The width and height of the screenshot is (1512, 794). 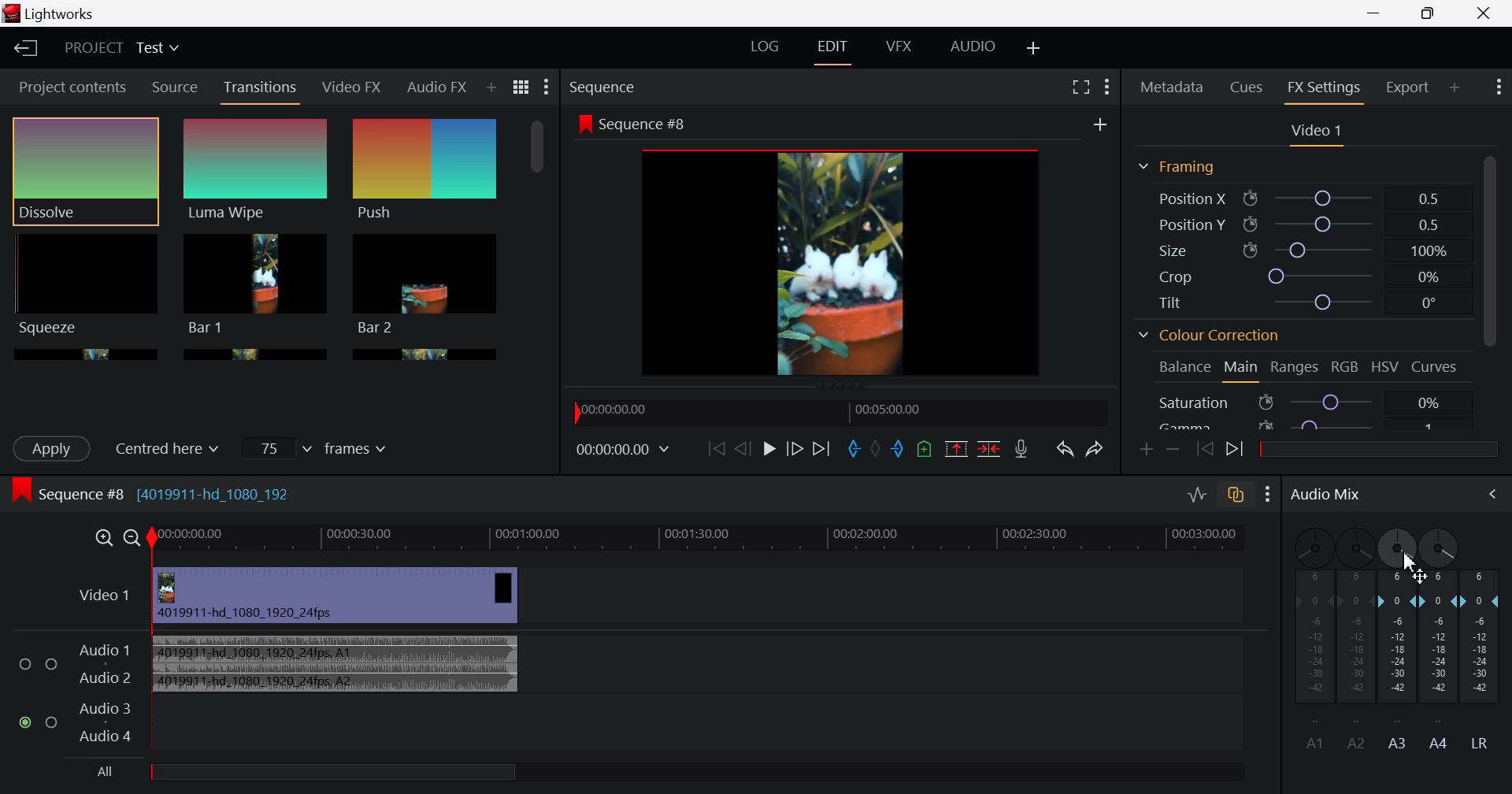 What do you see at coordinates (956, 447) in the screenshot?
I see `Remove marked section` at bounding box center [956, 447].